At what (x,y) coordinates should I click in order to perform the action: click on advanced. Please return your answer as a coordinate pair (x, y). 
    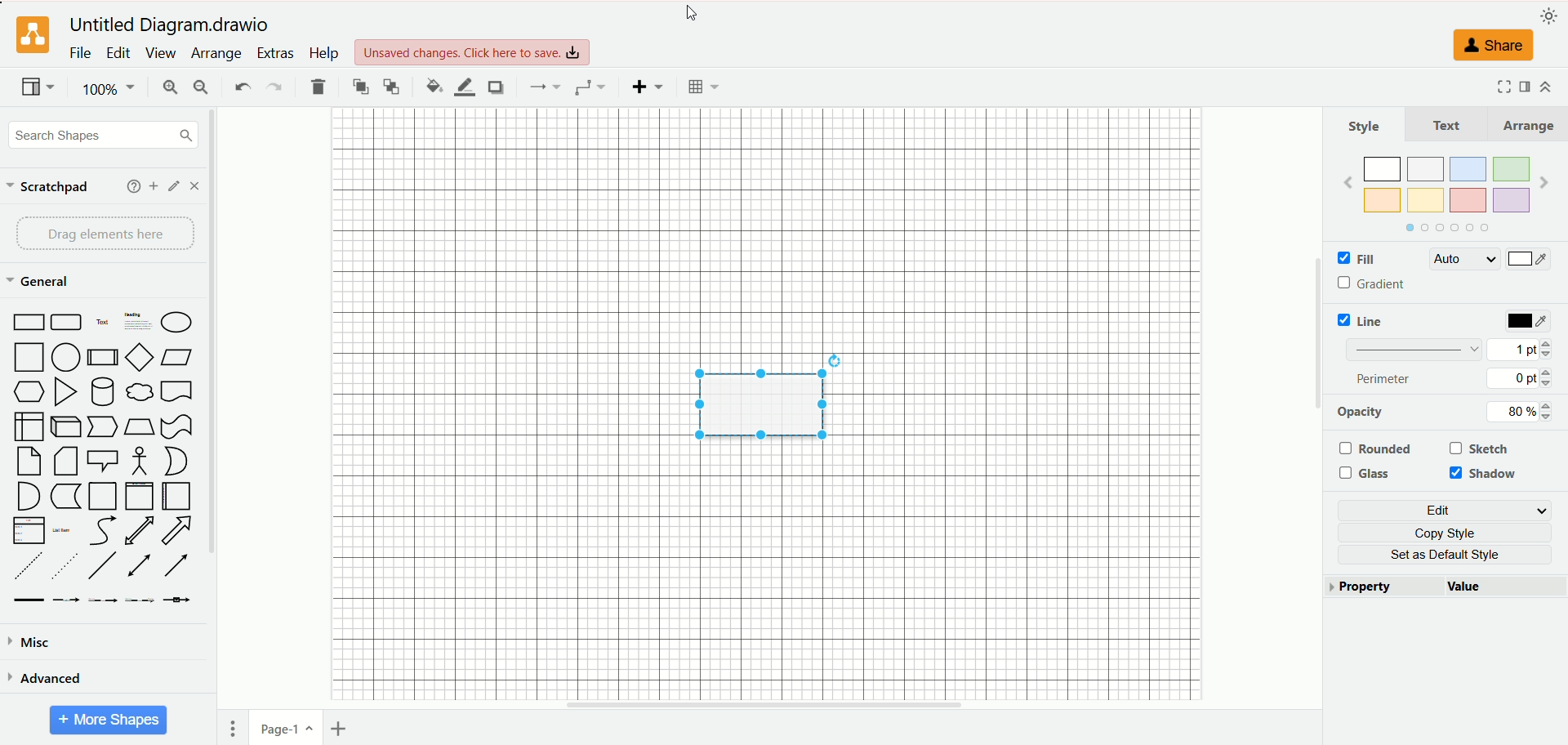
    Looking at the image, I should click on (45, 677).